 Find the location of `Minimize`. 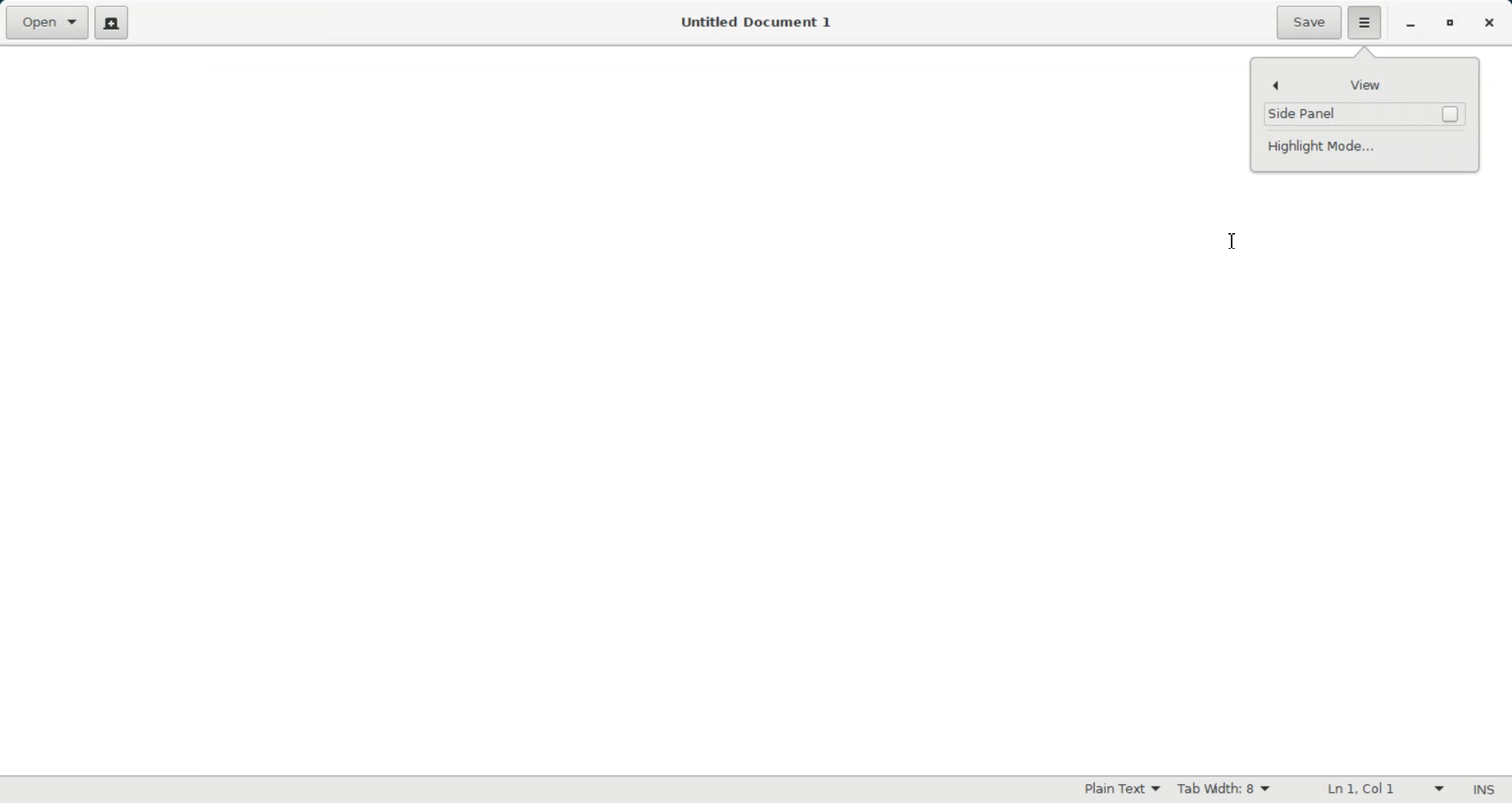

Minimize is located at coordinates (1412, 24).